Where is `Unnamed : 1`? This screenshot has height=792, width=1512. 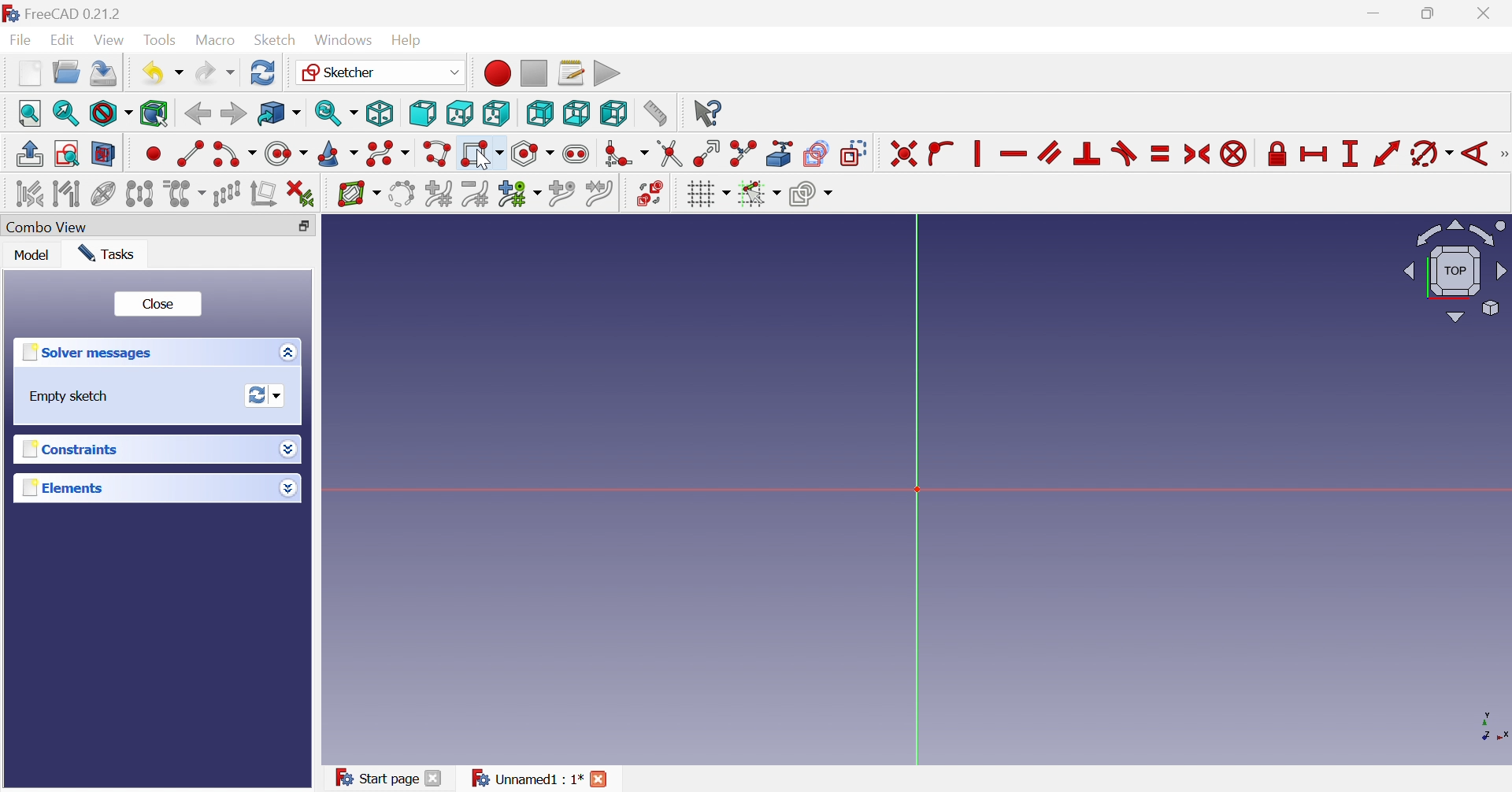 Unnamed : 1 is located at coordinates (524, 779).